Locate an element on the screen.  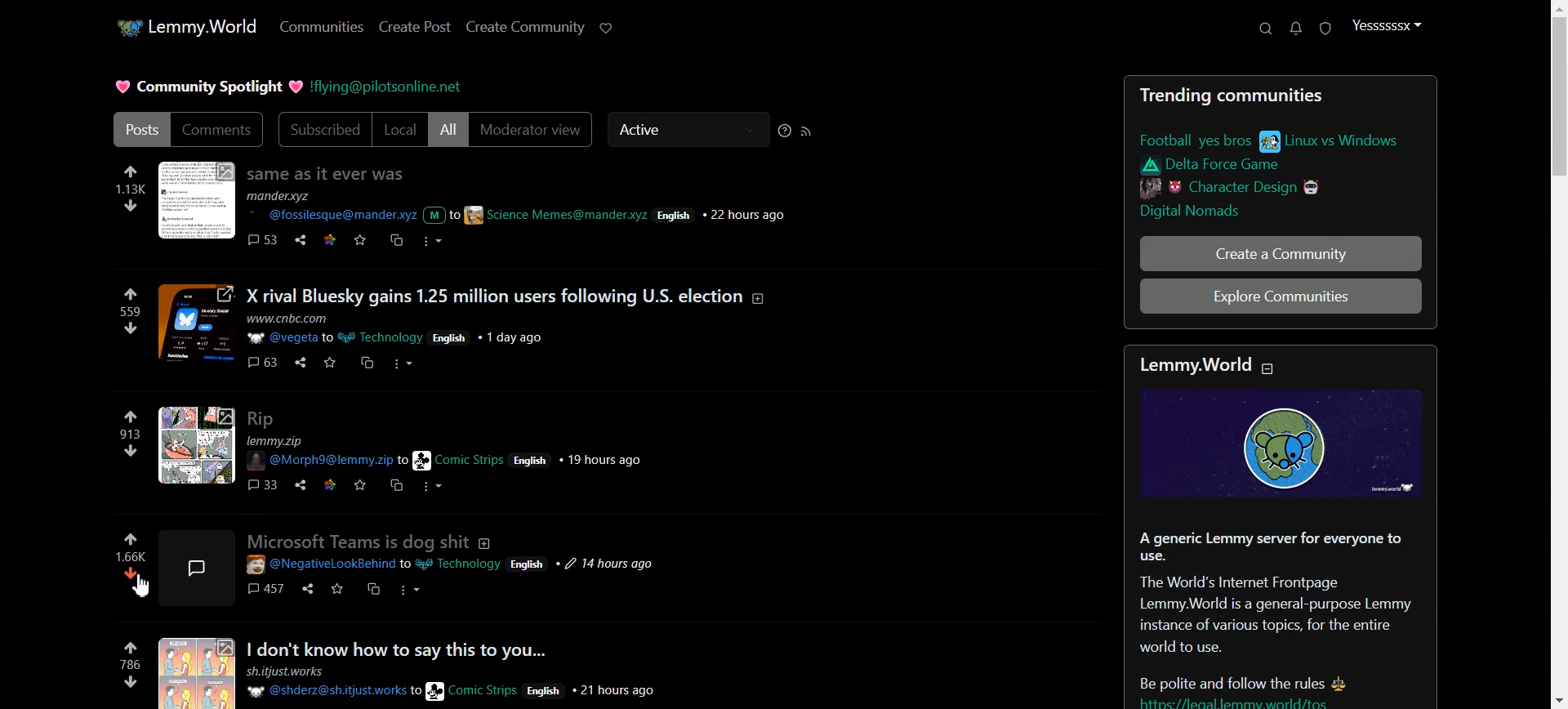
cursor is located at coordinates (145, 587).